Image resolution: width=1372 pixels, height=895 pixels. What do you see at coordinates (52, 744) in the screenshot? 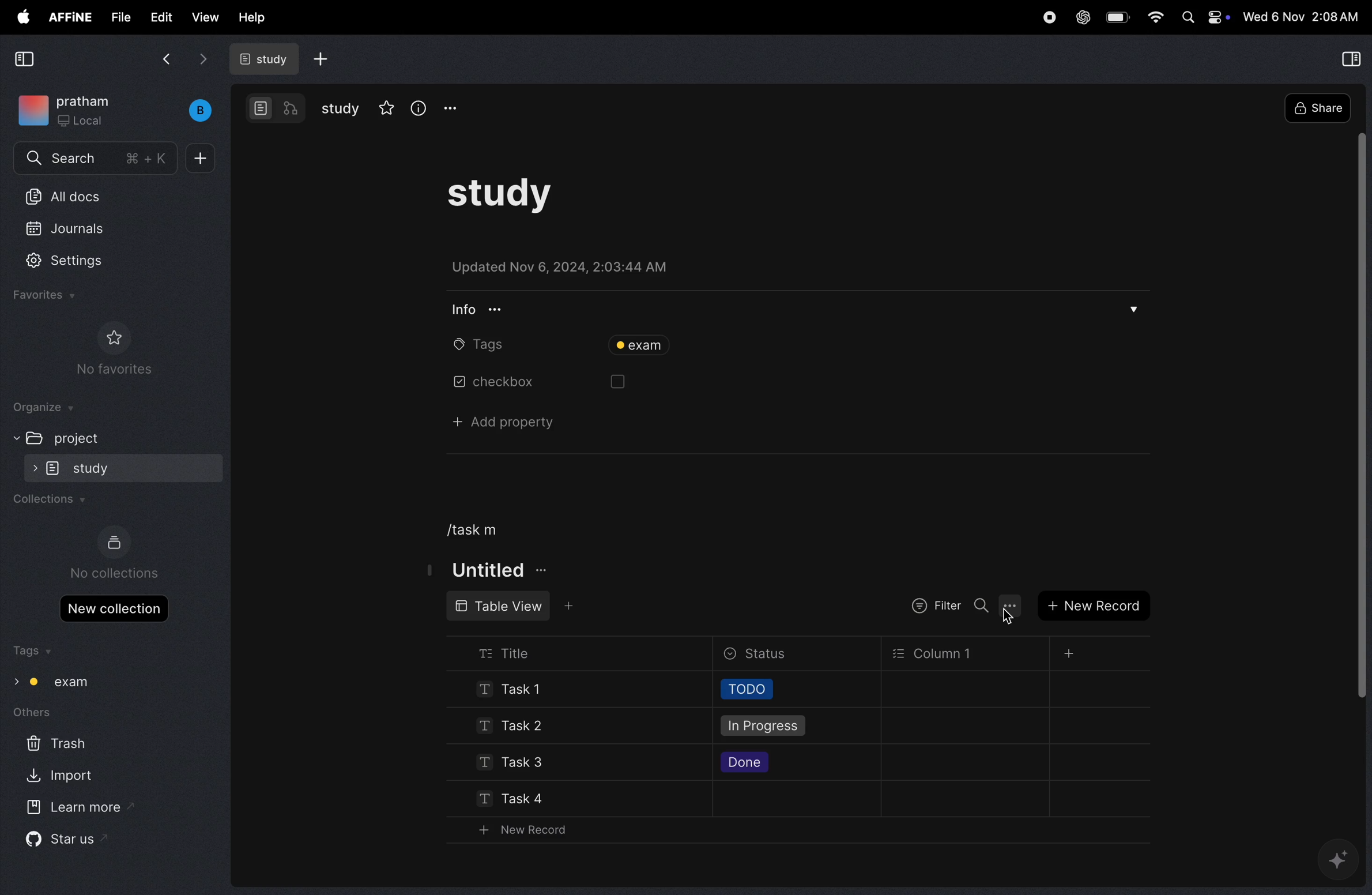
I see `trash` at bounding box center [52, 744].